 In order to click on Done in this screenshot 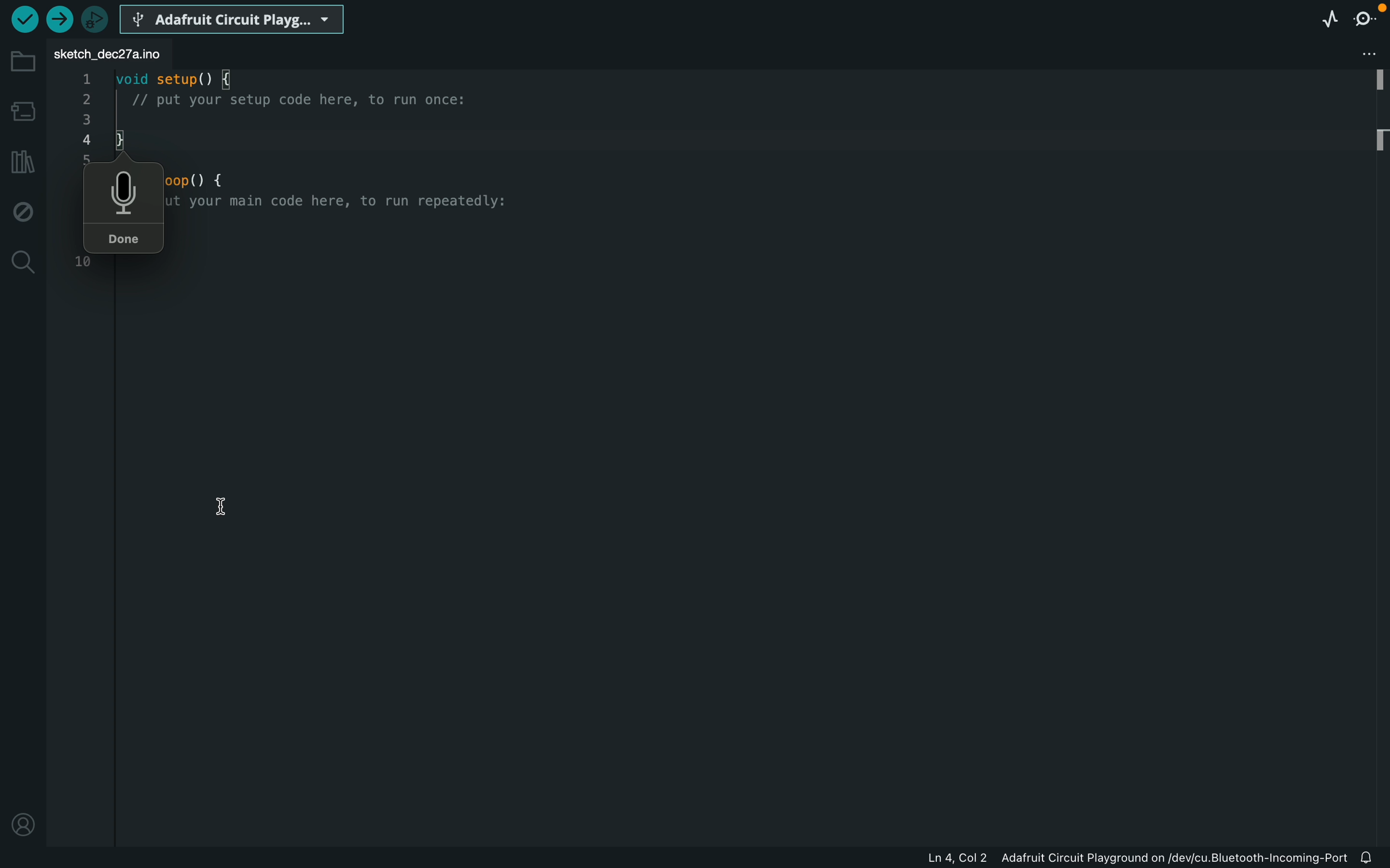, I will do `click(127, 241)`.